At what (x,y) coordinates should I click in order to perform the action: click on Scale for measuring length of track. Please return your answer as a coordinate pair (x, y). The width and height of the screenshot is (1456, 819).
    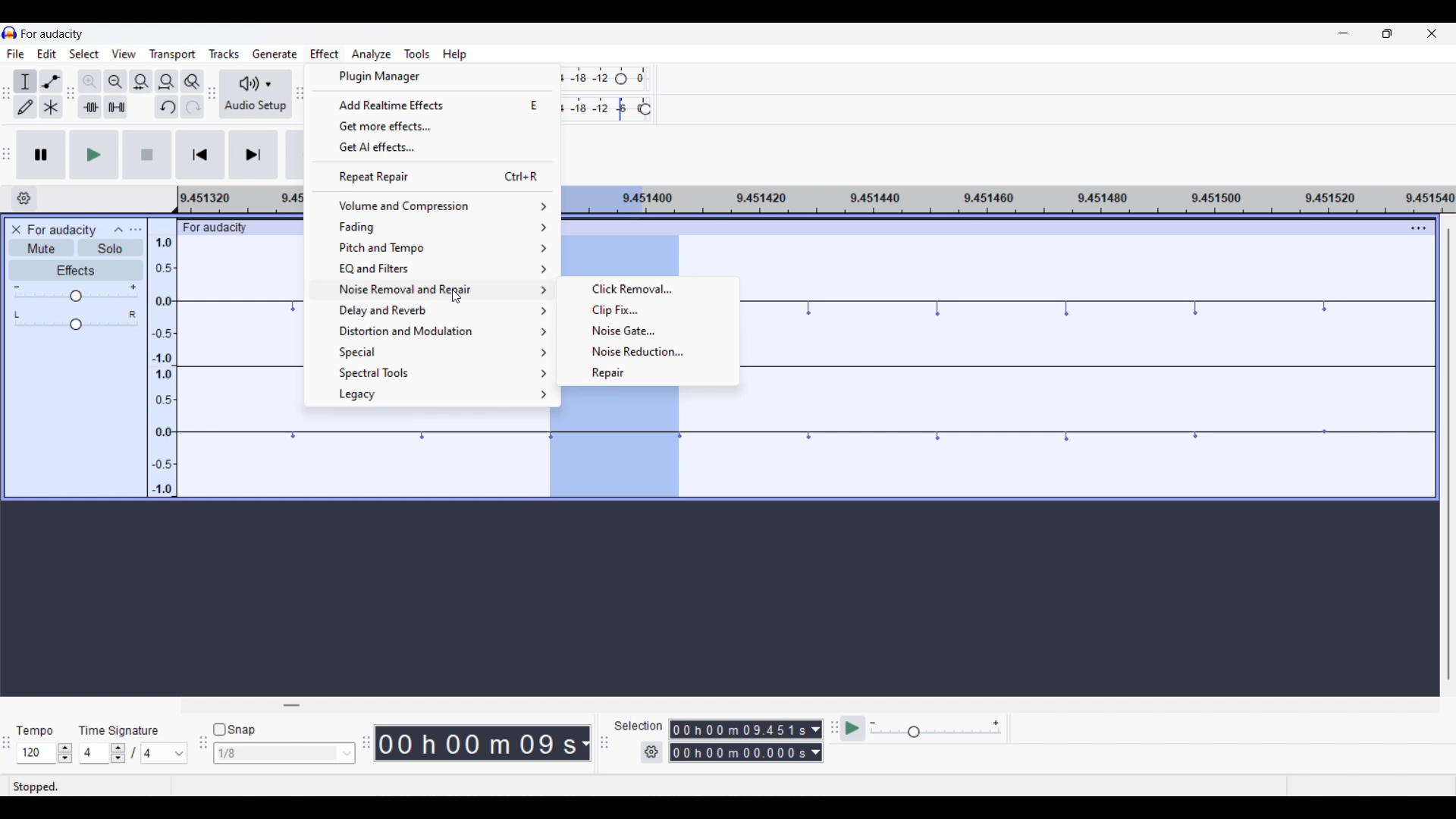
    Looking at the image, I should click on (1011, 199).